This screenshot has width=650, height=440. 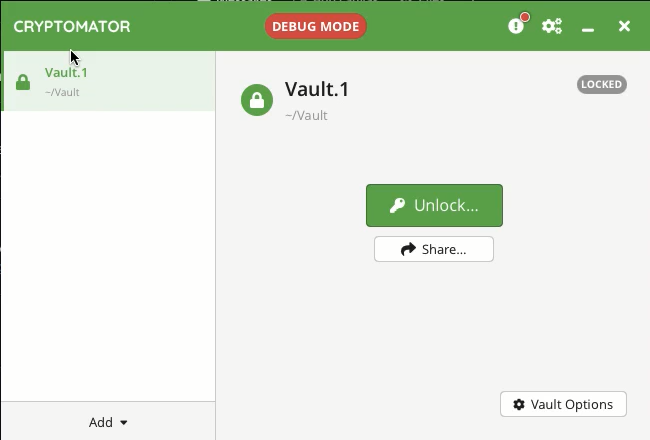 What do you see at coordinates (436, 249) in the screenshot?
I see `Share.` at bounding box center [436, 249].